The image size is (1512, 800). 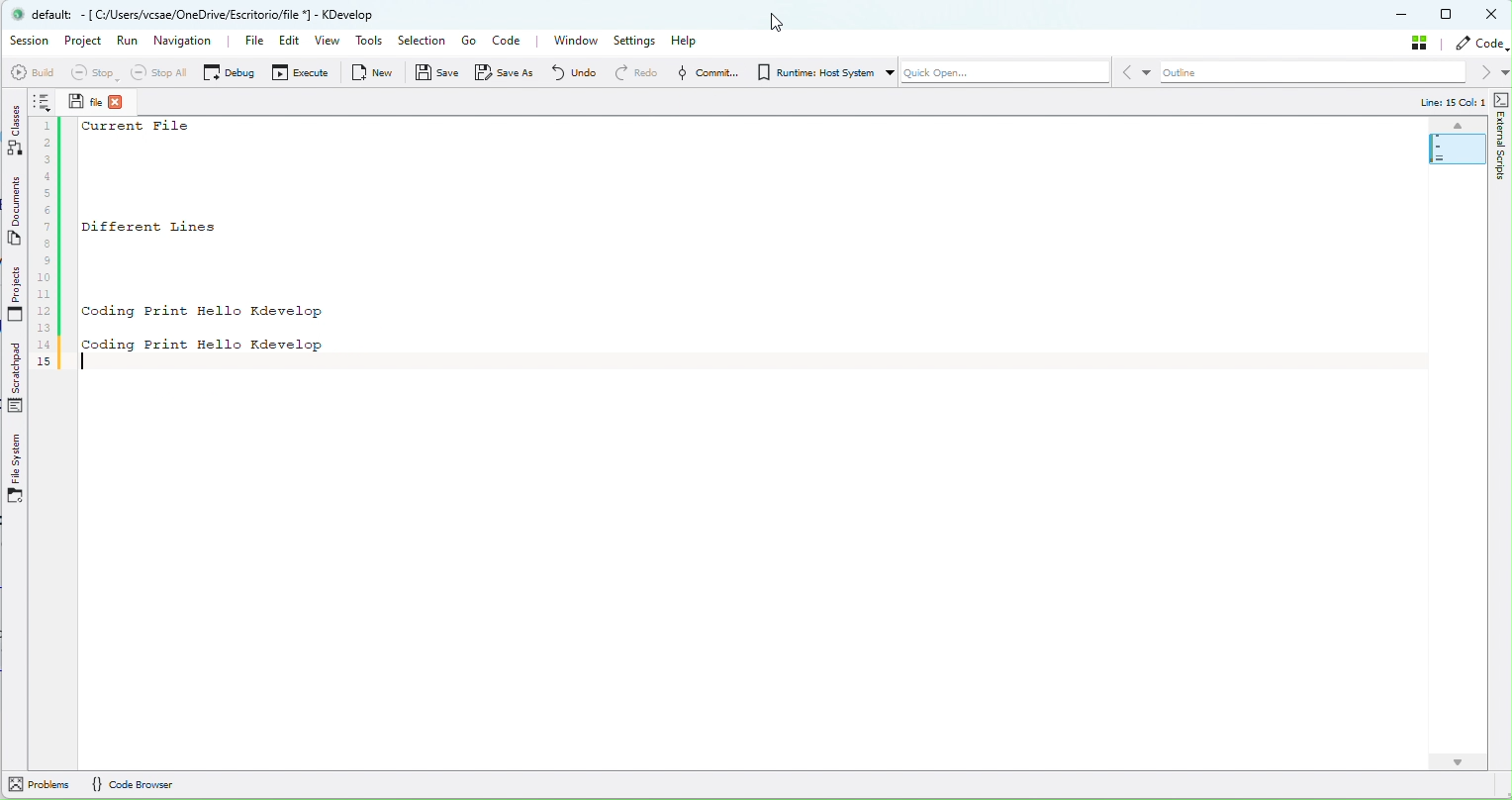 What do you see at coordinates (176, 226) in the screenshot?
I see `Different Lines` at bounding box center [176, 226].